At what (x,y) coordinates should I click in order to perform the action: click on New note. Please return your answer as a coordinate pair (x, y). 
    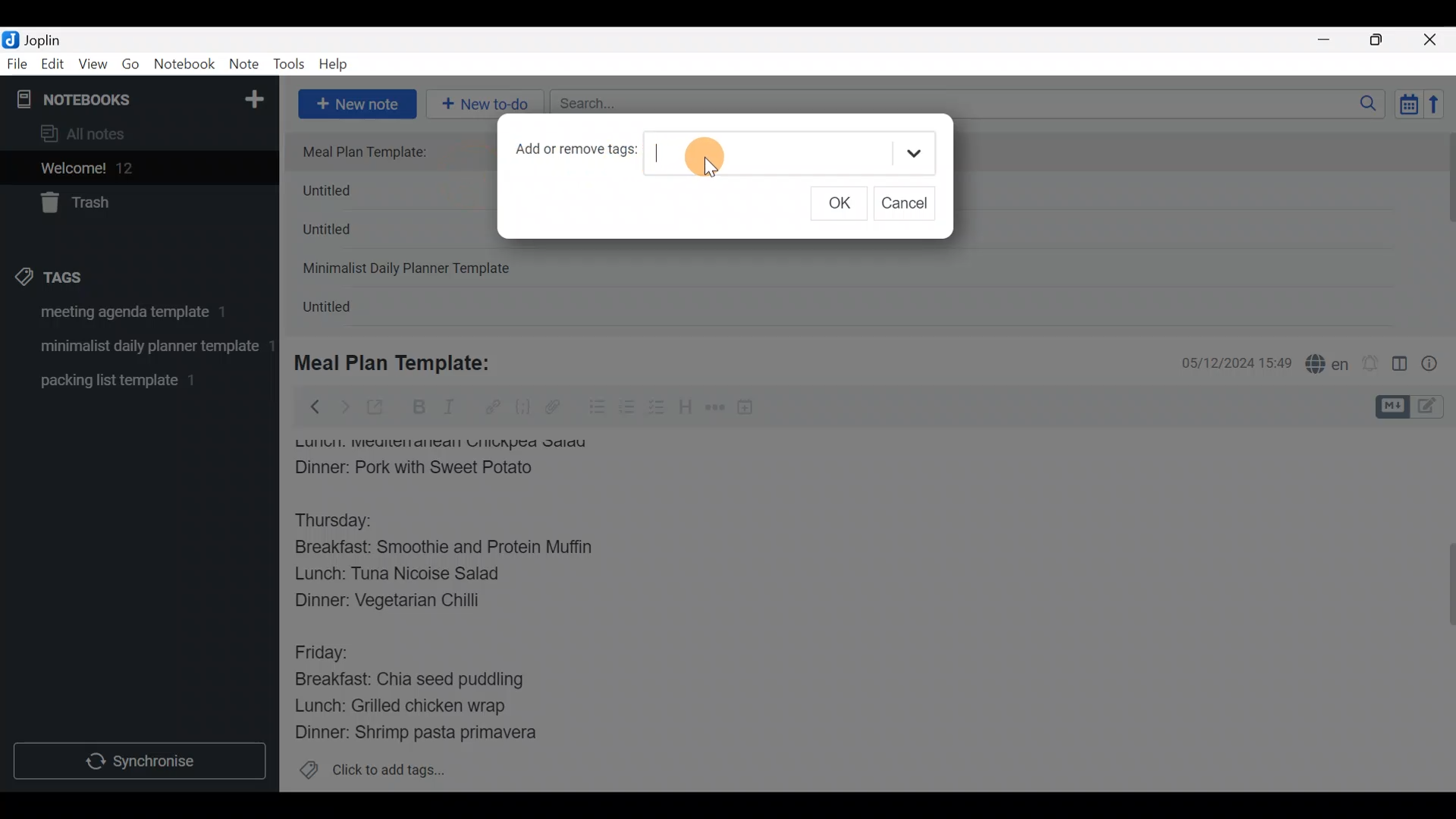
    Looking at the image, I should click on (356, 102).